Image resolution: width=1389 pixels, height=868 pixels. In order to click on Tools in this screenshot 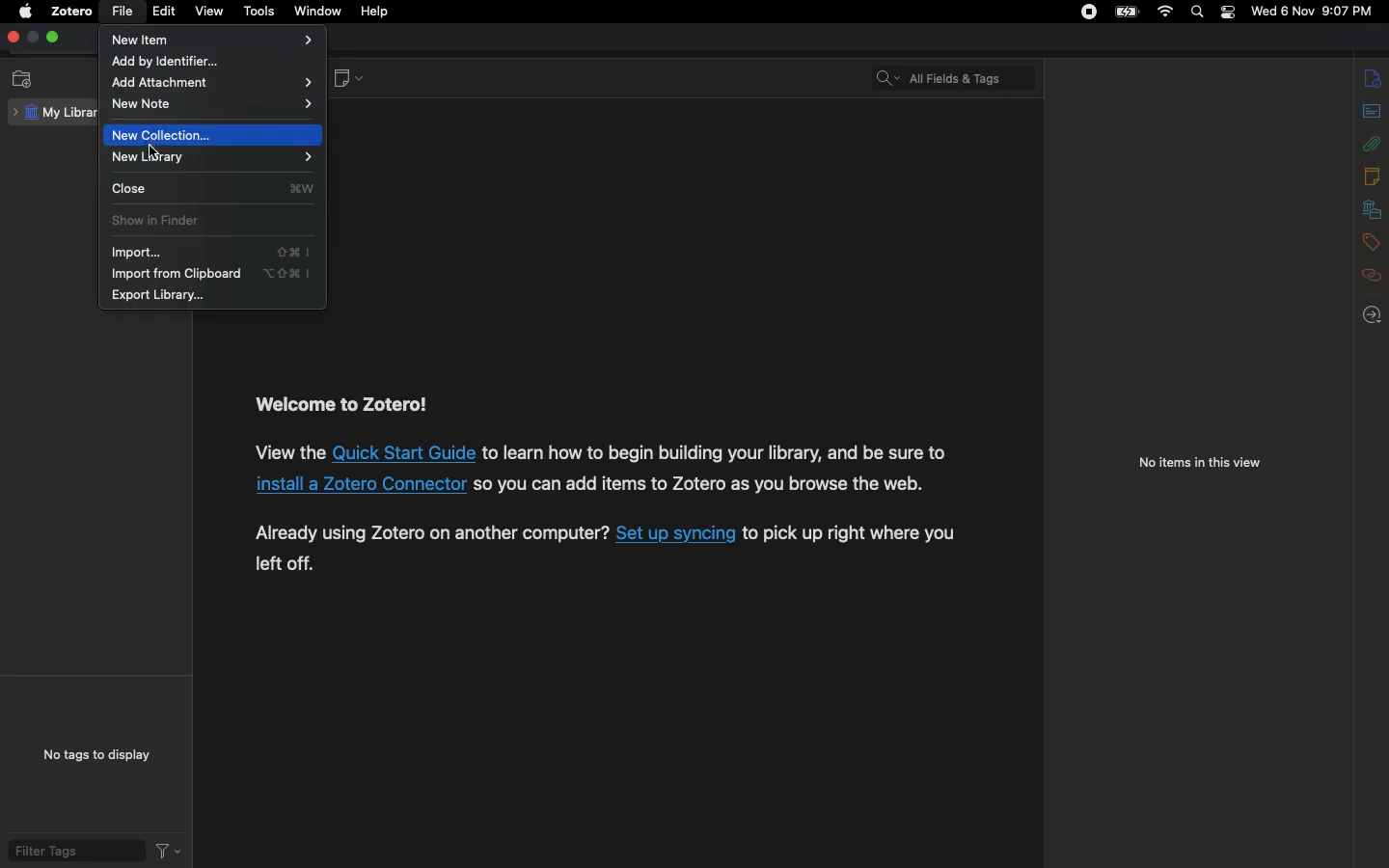, I will do `click(261, 13)`.